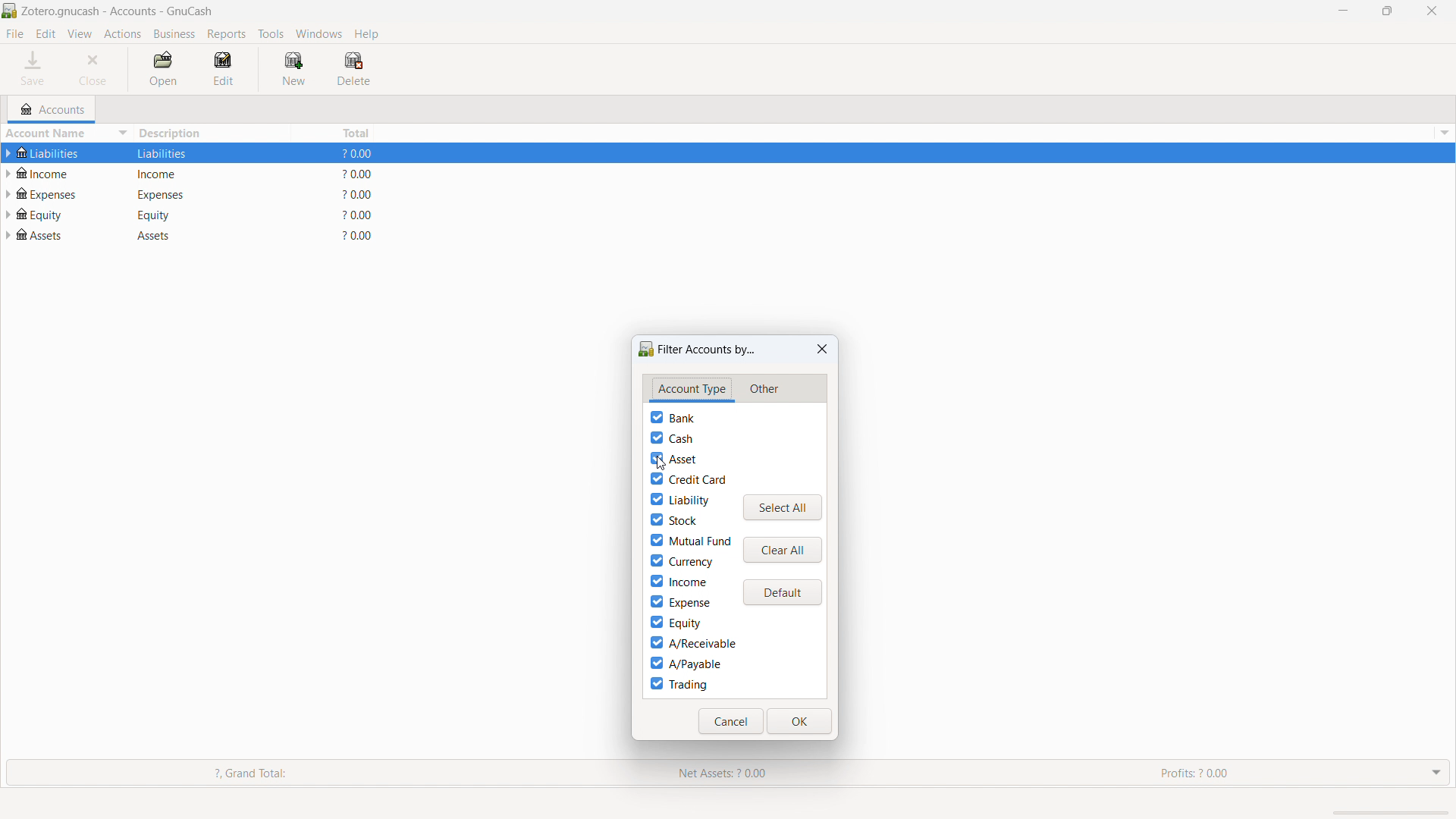 This screenshot has width=1456, height=819. Describe the element at coordinates (227, 34) in the screenshot. I see `reports` at that location.